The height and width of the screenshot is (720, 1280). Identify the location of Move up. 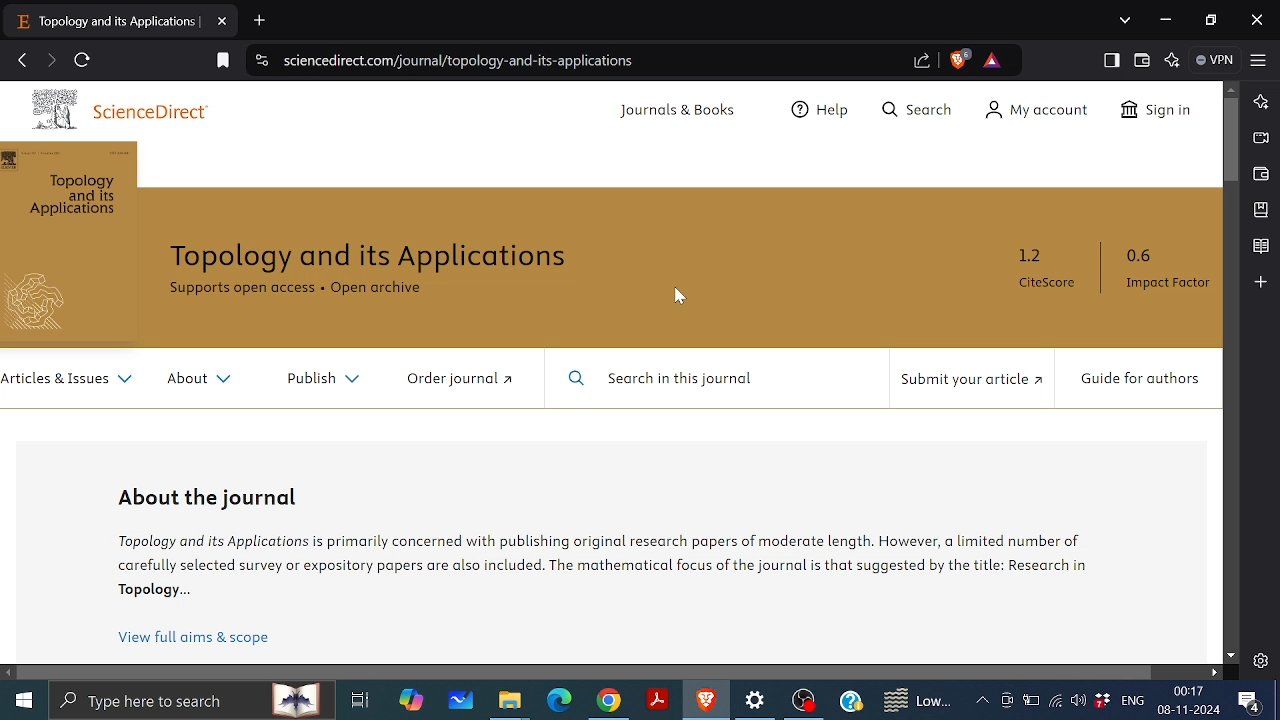
(1233, 89).